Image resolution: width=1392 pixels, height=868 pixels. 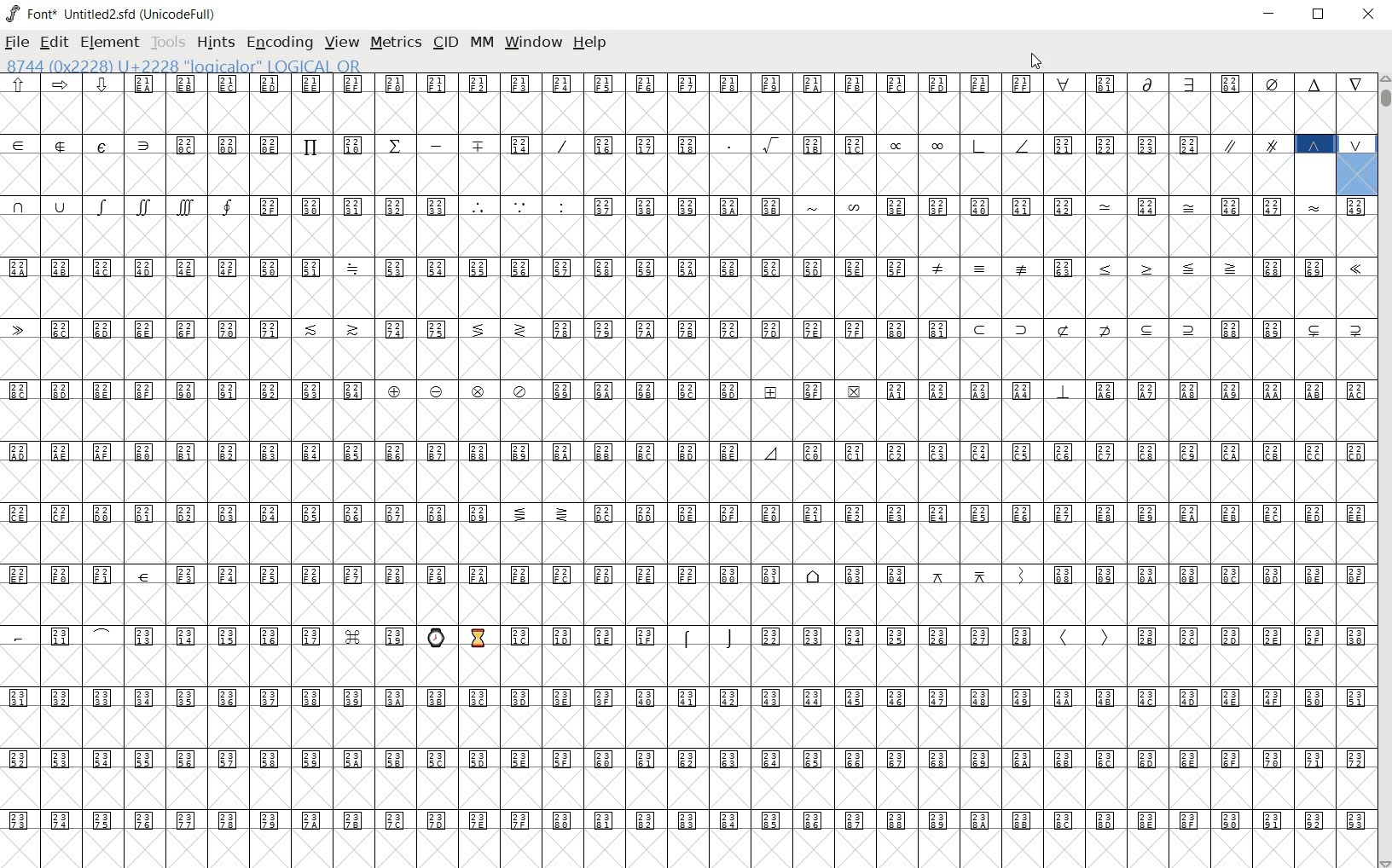 I want to click on restore, so click(x=1319, y=17).